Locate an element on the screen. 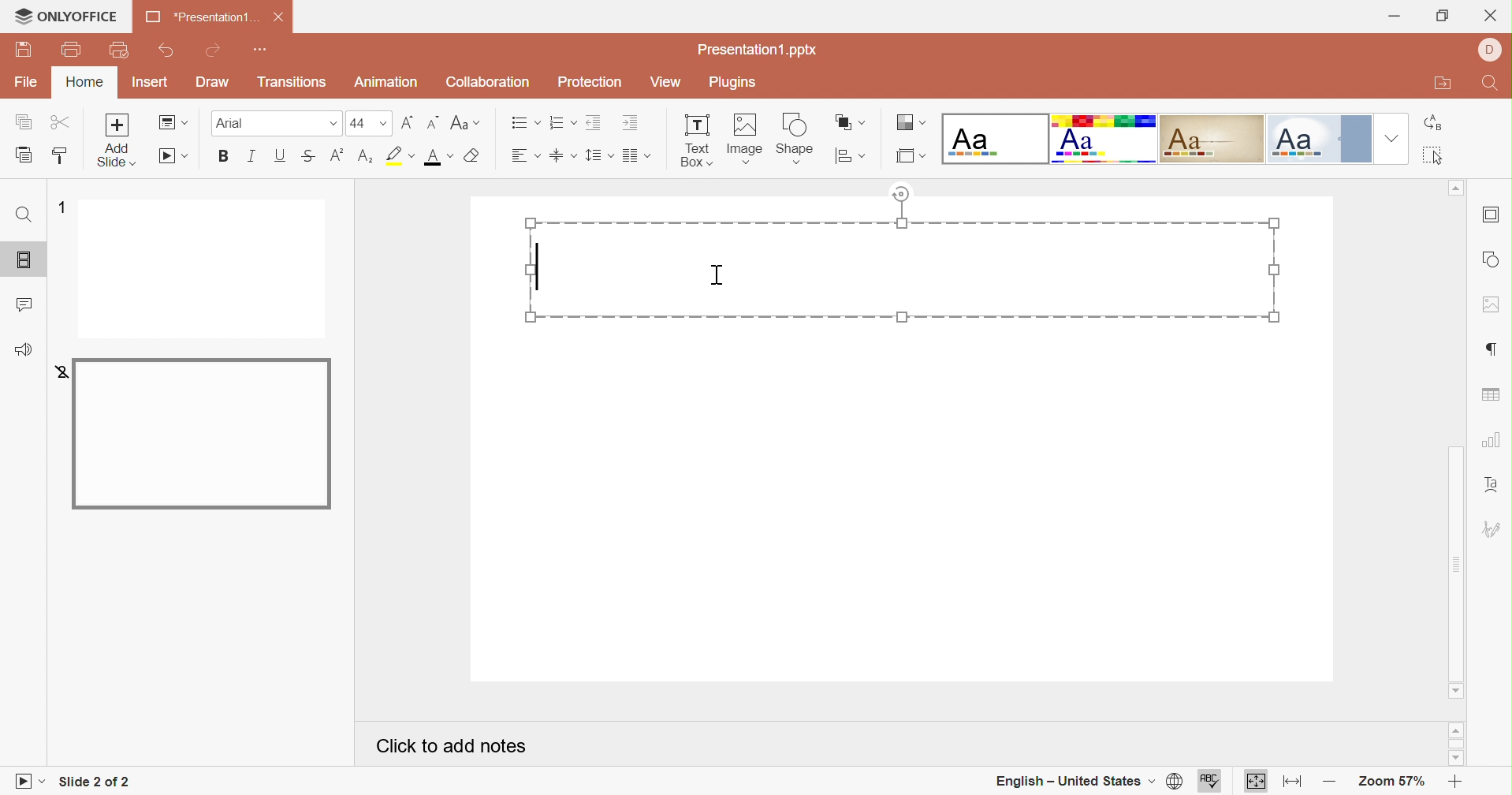 The width and height of the screenshot is (1512, 795). Highlight color is located at coordinates (367, 157).